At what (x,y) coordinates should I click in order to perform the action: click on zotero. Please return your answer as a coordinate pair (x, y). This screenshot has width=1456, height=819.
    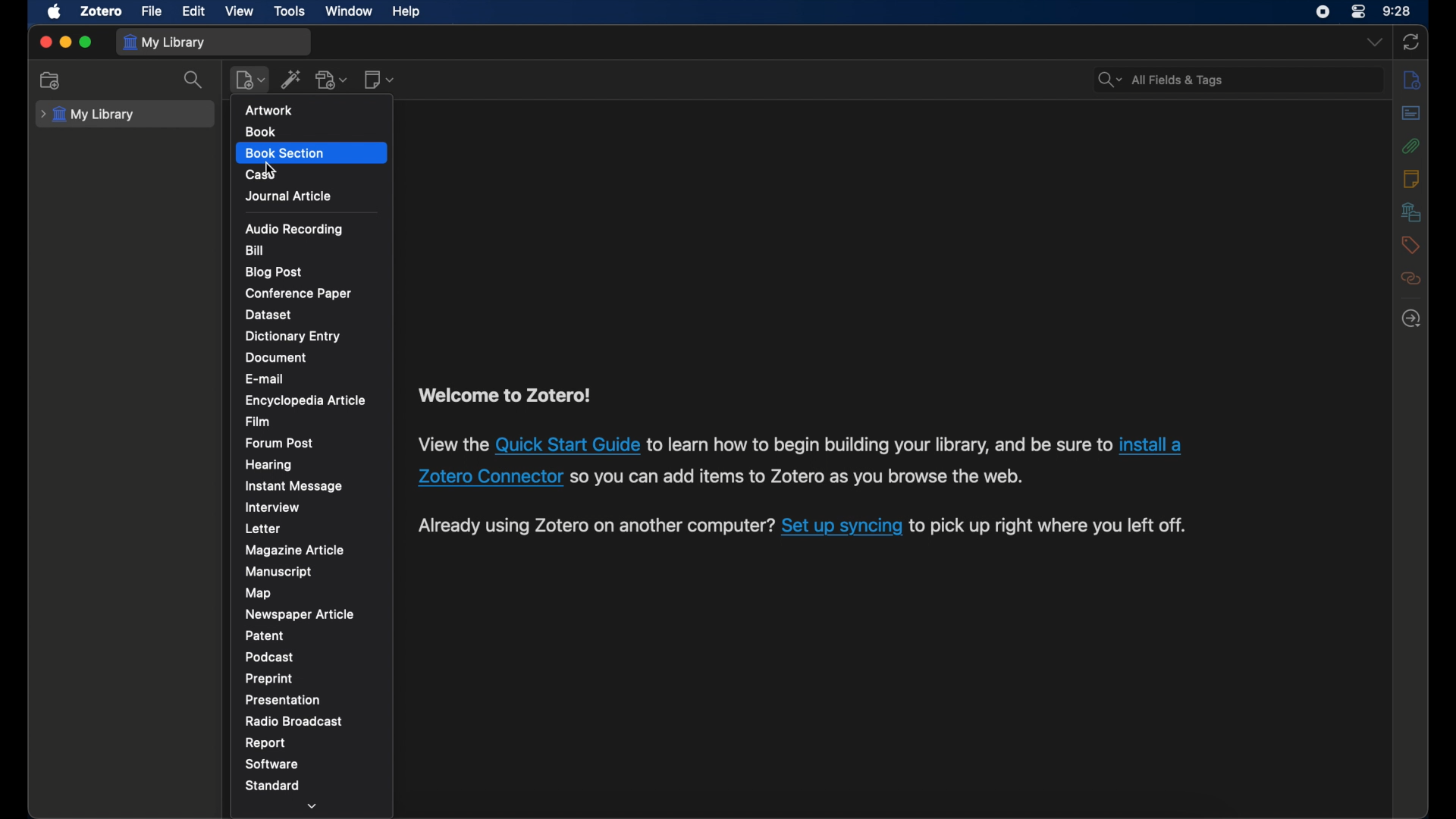
    Looking at the image, I should click on (99, 12).